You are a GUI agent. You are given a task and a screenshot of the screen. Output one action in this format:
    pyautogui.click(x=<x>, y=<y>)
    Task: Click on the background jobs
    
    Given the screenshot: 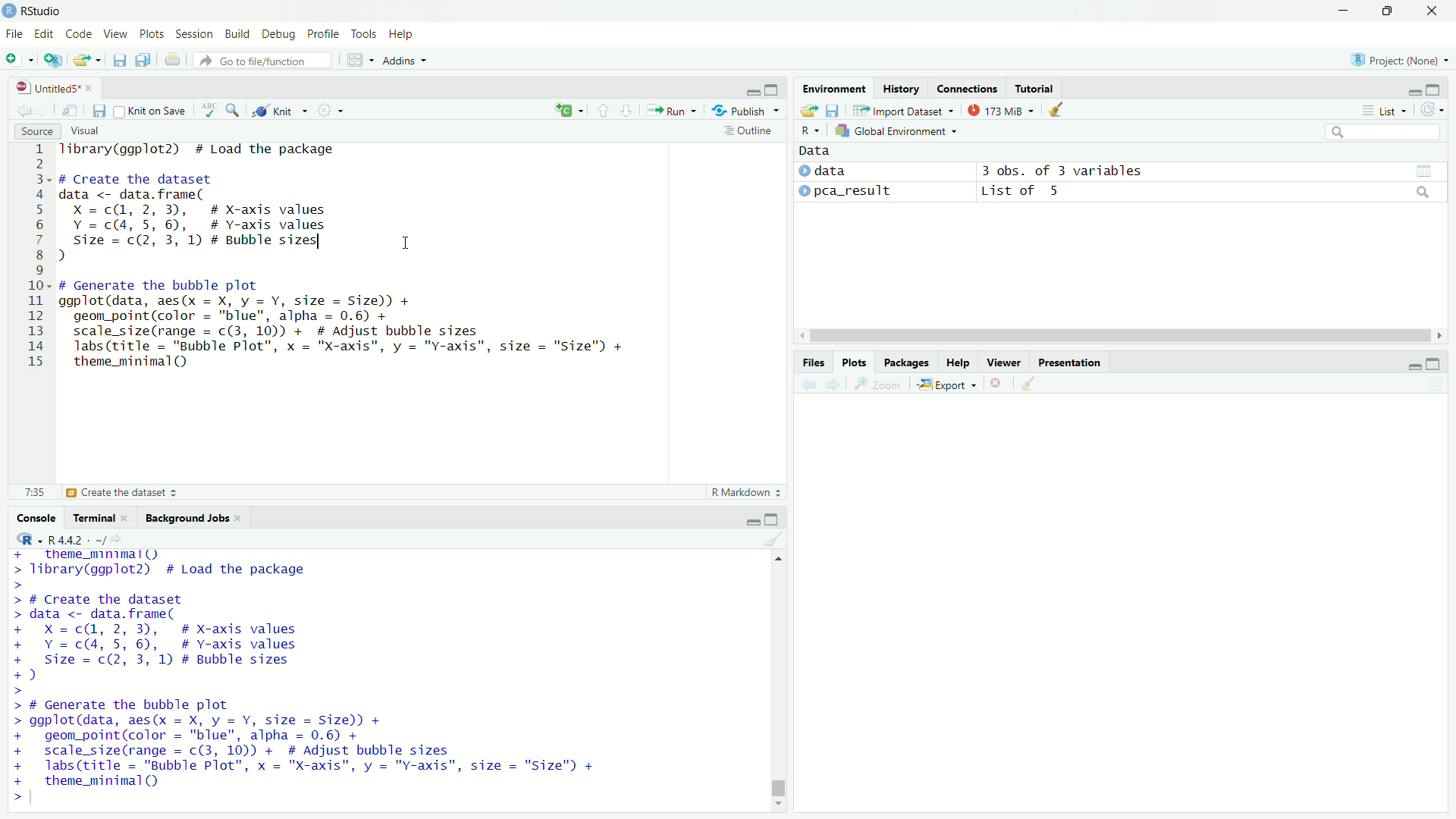 What is the action you would take?
    pyautogui.click(x=194, y=516)
    